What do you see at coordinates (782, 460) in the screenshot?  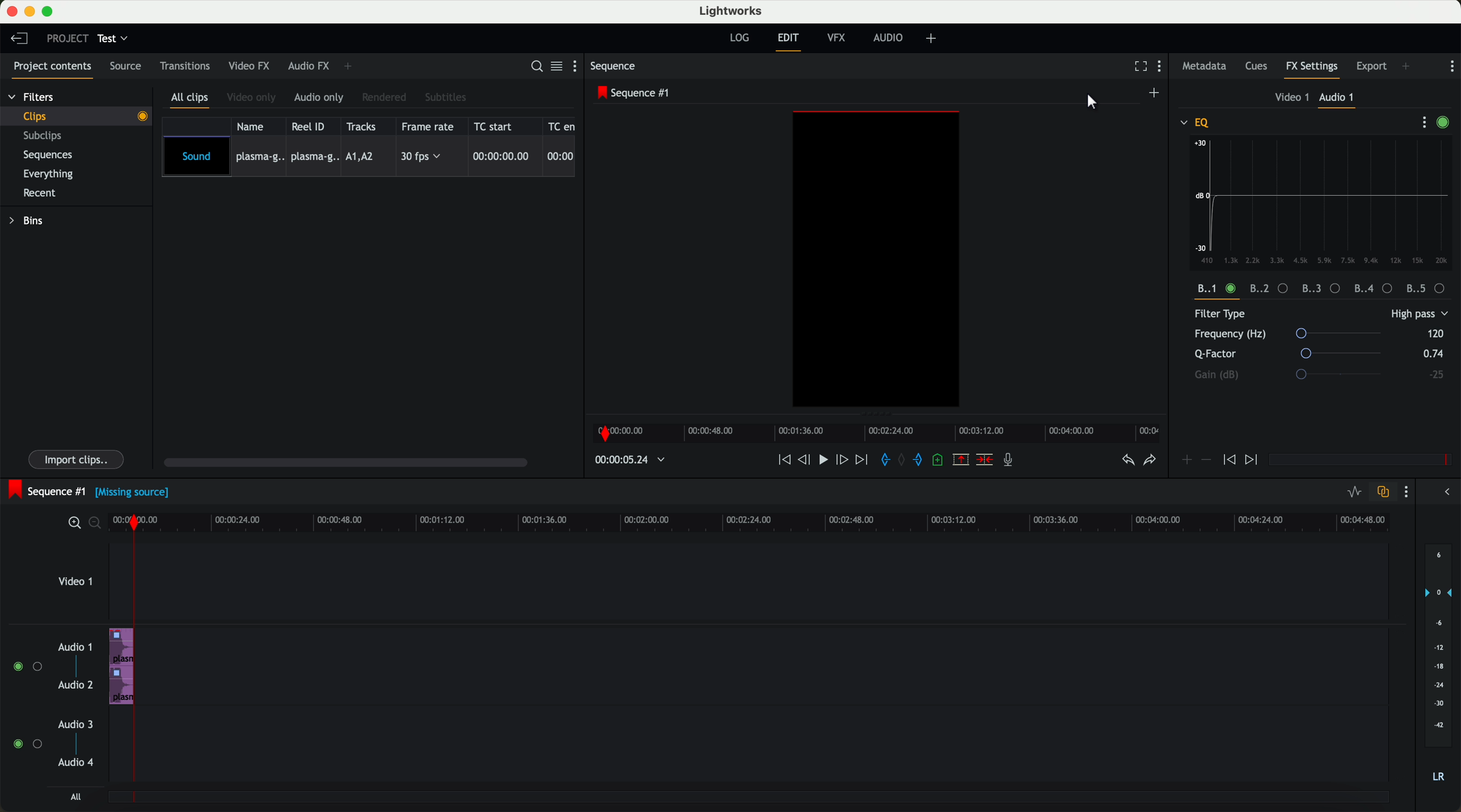 I see `move backward` at bounding box center [782, 460].